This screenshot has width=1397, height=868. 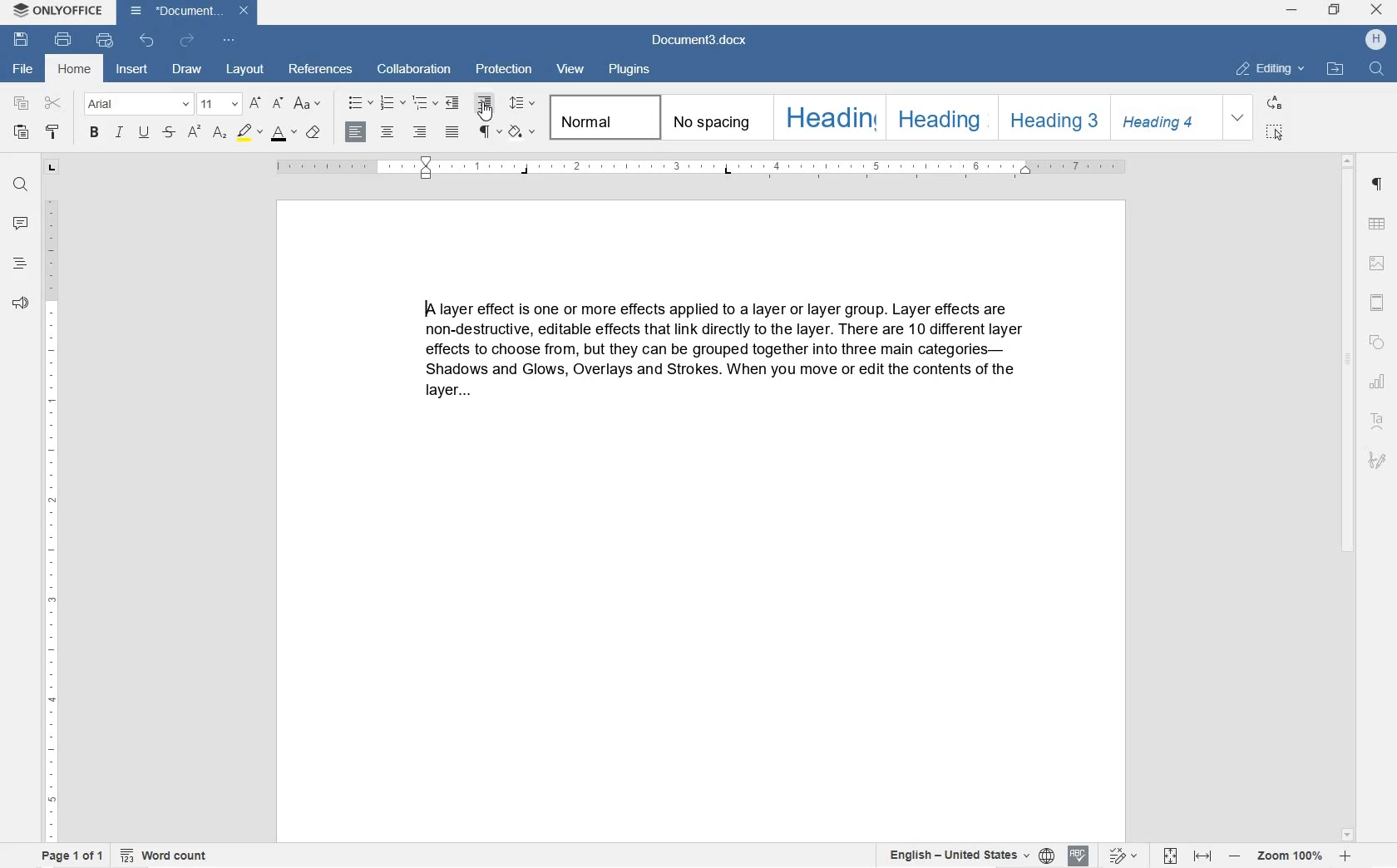 What do you see at coordinates (970, 856) in the screenshot?
I see `SET TEXT OR DOCUMENT LANGUAGE` at bounding box center [970, 856].